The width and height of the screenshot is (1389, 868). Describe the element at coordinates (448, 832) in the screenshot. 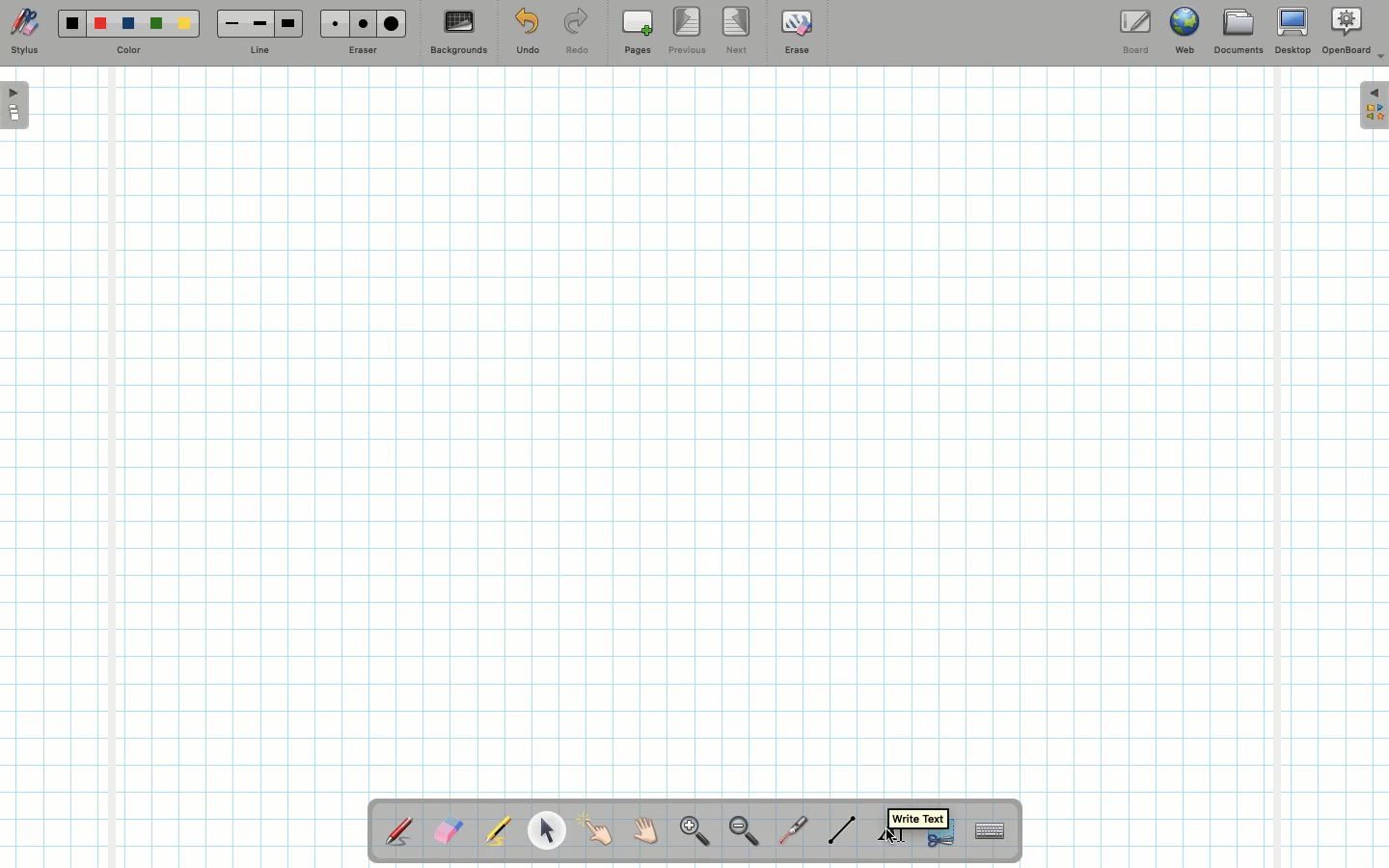

I see `Eraser` at that location.